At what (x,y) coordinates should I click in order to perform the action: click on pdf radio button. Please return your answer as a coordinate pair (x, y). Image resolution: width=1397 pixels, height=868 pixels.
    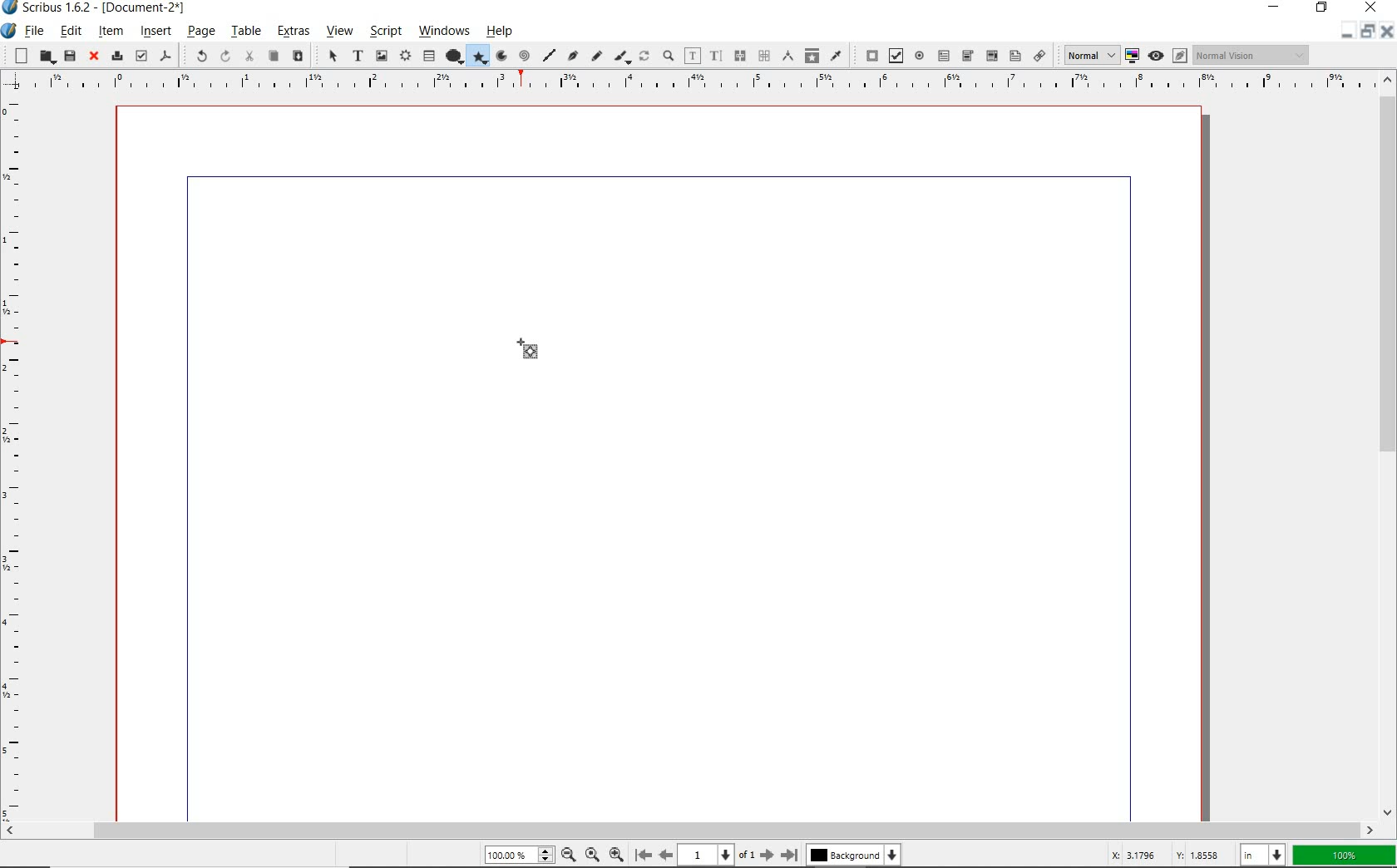
    Looking at the image, I should click on (921, 56).